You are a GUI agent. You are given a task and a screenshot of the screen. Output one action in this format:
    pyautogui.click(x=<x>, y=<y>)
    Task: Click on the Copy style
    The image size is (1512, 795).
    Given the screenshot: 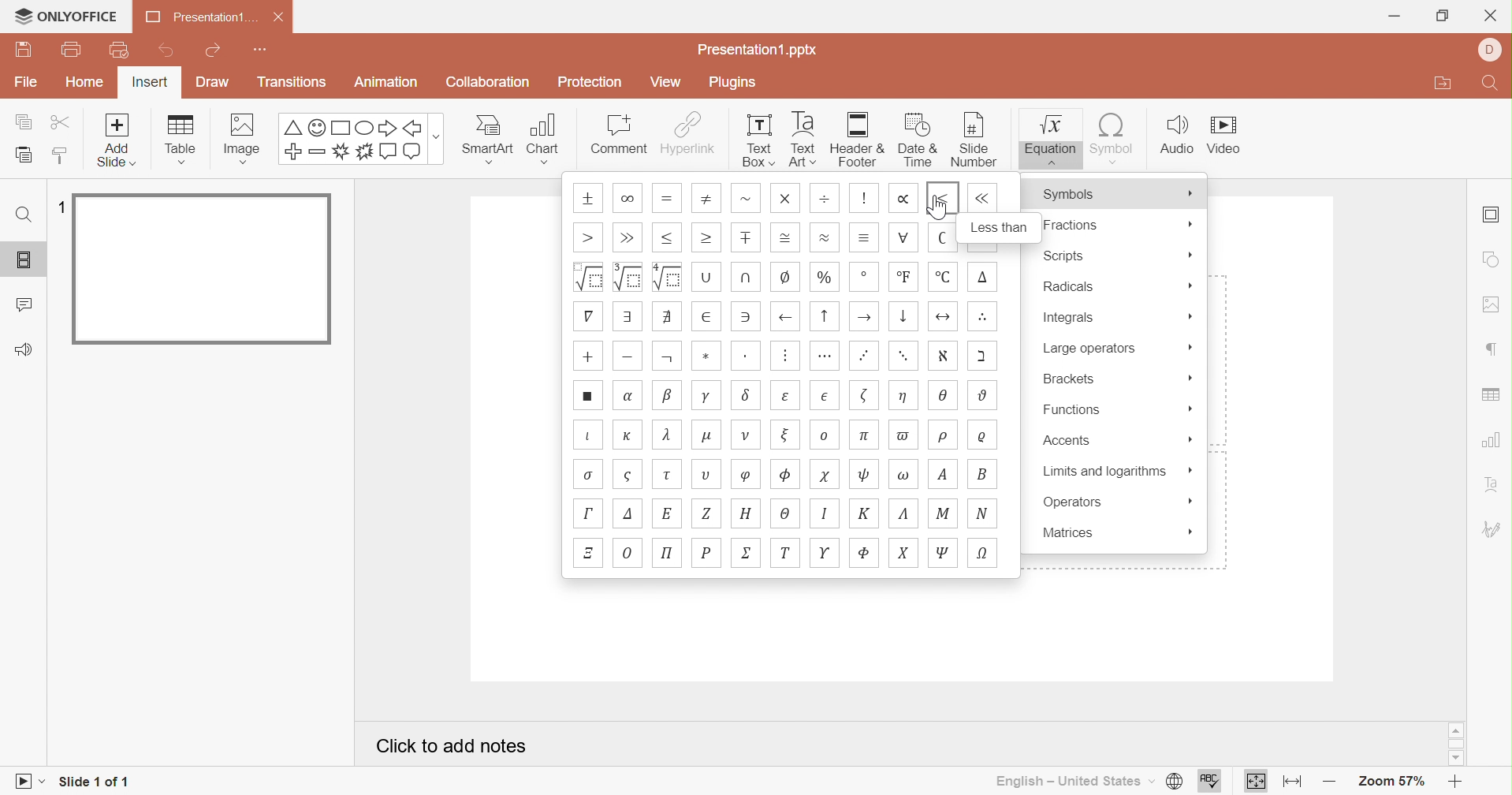 What is the action you would take?
    pyautogui.click(x=61, y=157)
    